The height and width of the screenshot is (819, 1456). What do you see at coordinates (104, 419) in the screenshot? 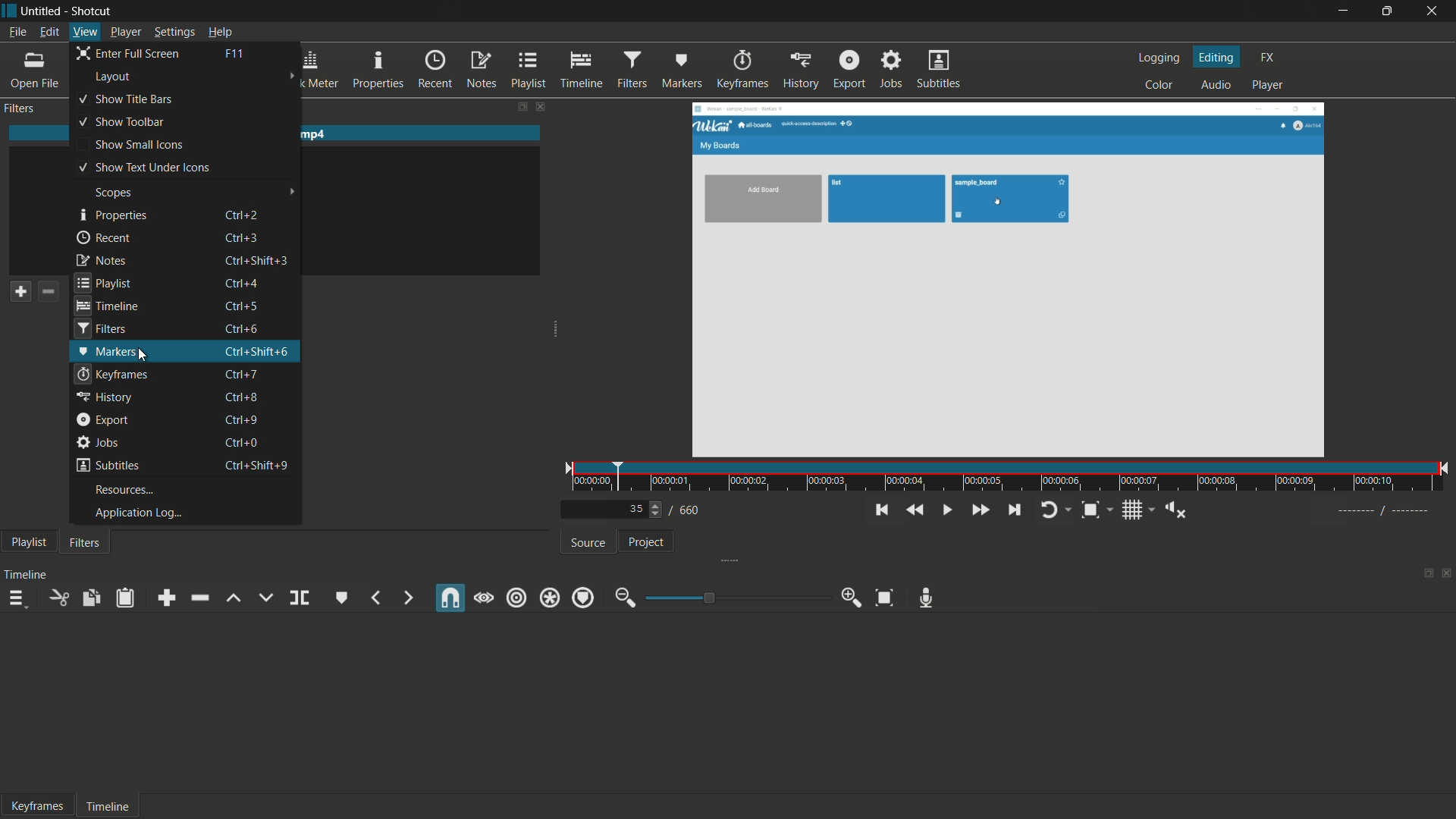
I see `export` at bounding box center [104, 419].